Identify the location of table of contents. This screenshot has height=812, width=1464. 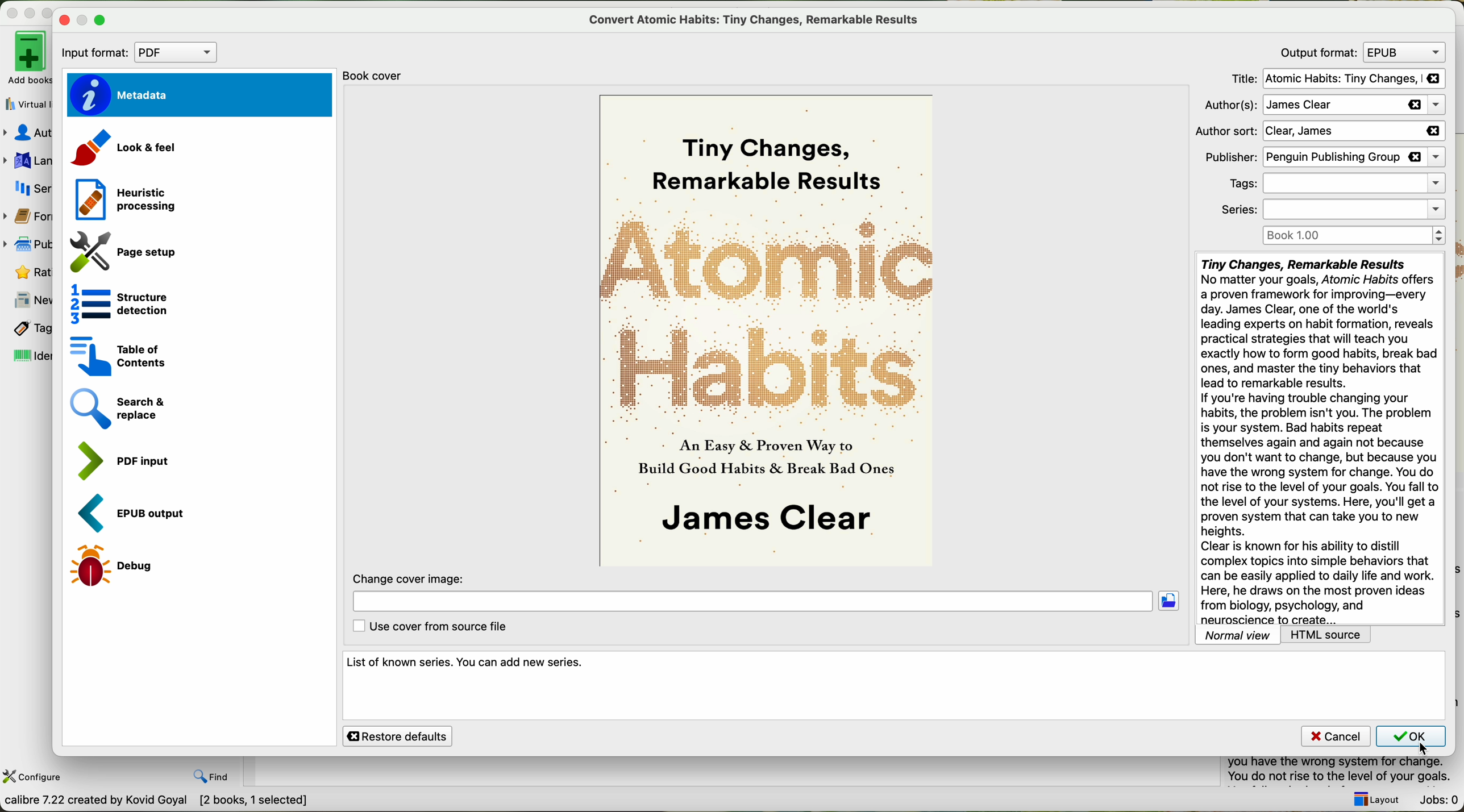
(114, 354).